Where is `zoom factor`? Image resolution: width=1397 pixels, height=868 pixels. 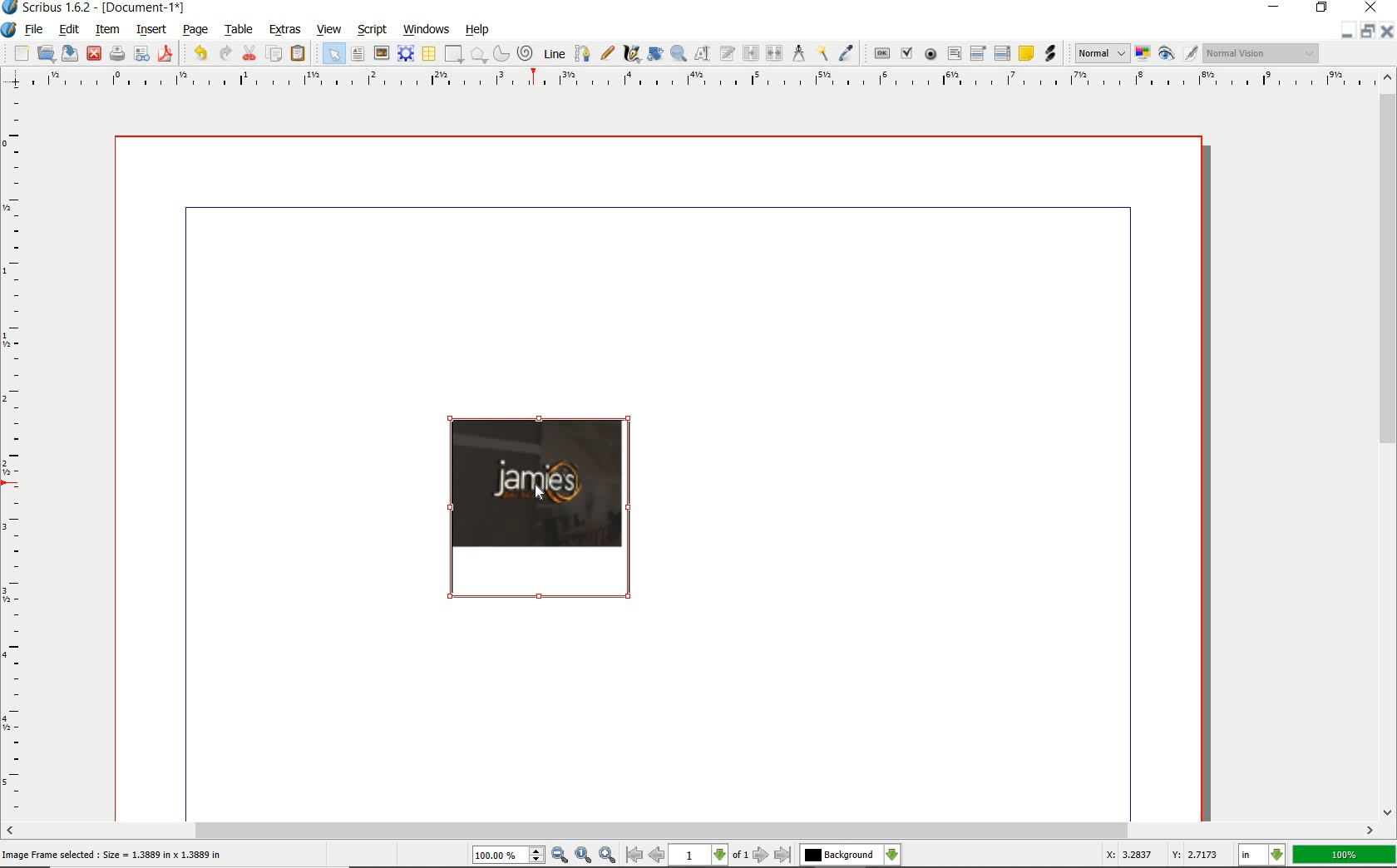 zoom factor is located at coordinates (1345, 856).